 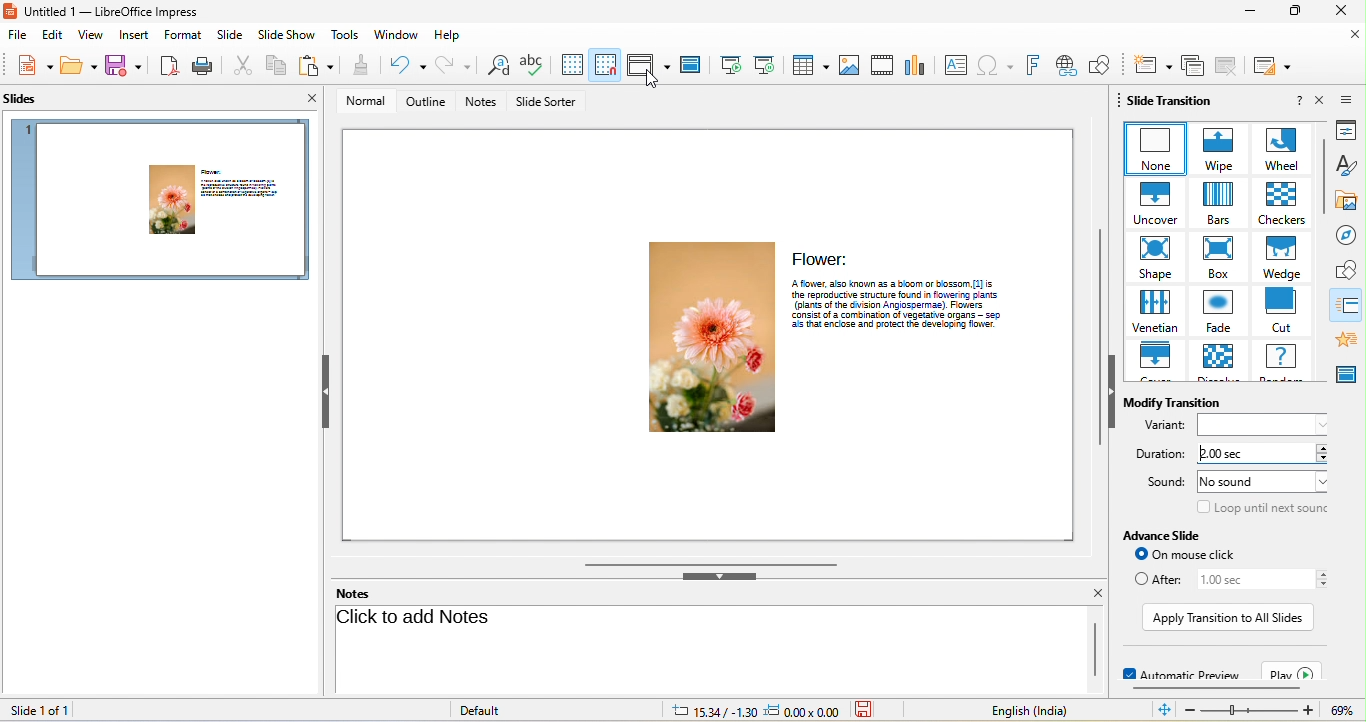 What do you see at coordinates (31, 68) in the screenshot?
I see `new` at bounding box center [31, 68].